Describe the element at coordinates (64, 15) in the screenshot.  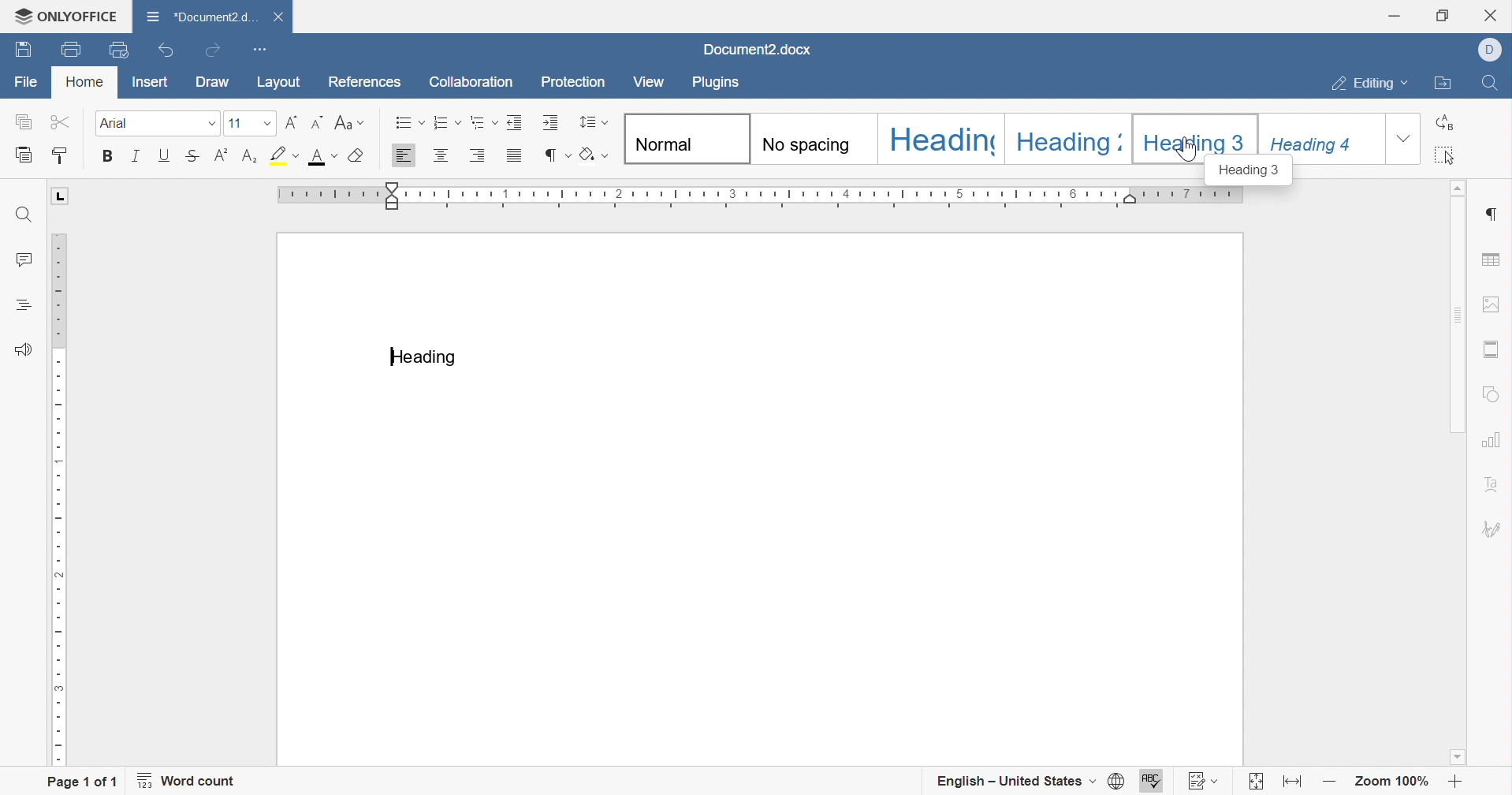
I see `ONLYOFFICE` at that location.